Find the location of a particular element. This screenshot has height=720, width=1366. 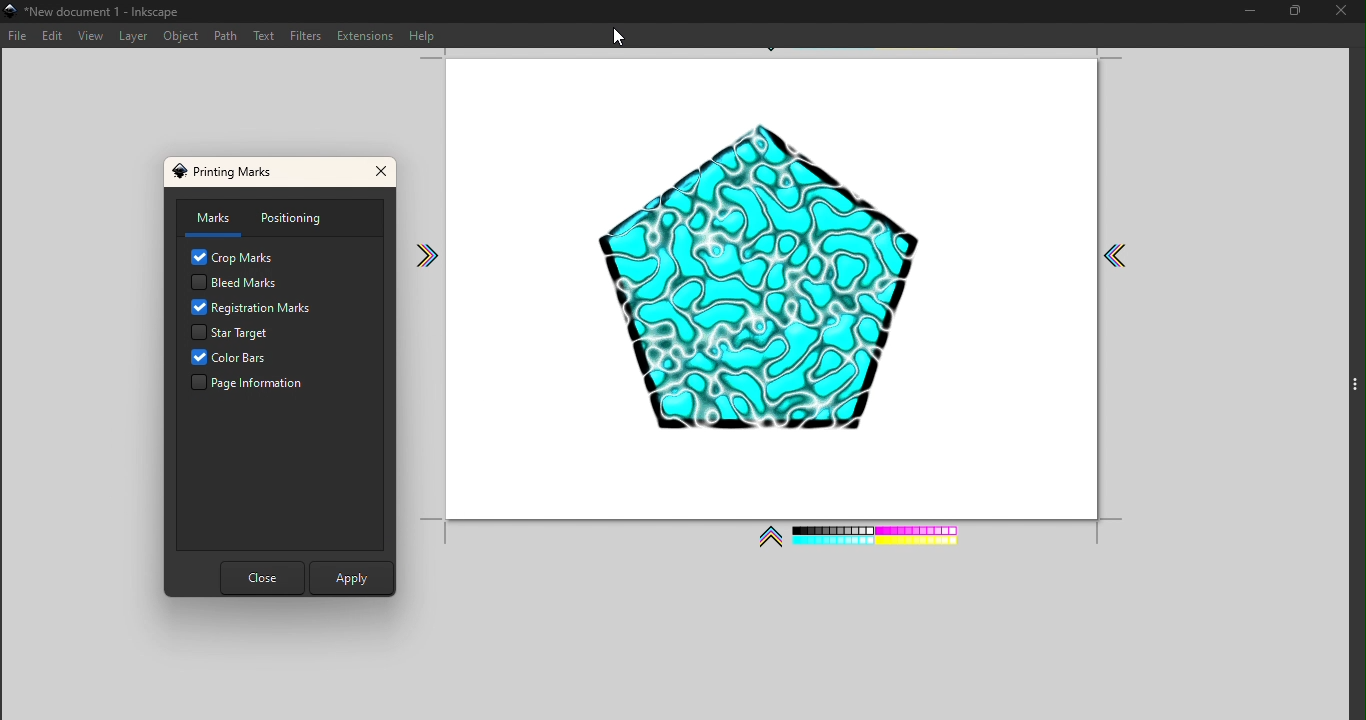

Layer is located at coordinates (135, 37).